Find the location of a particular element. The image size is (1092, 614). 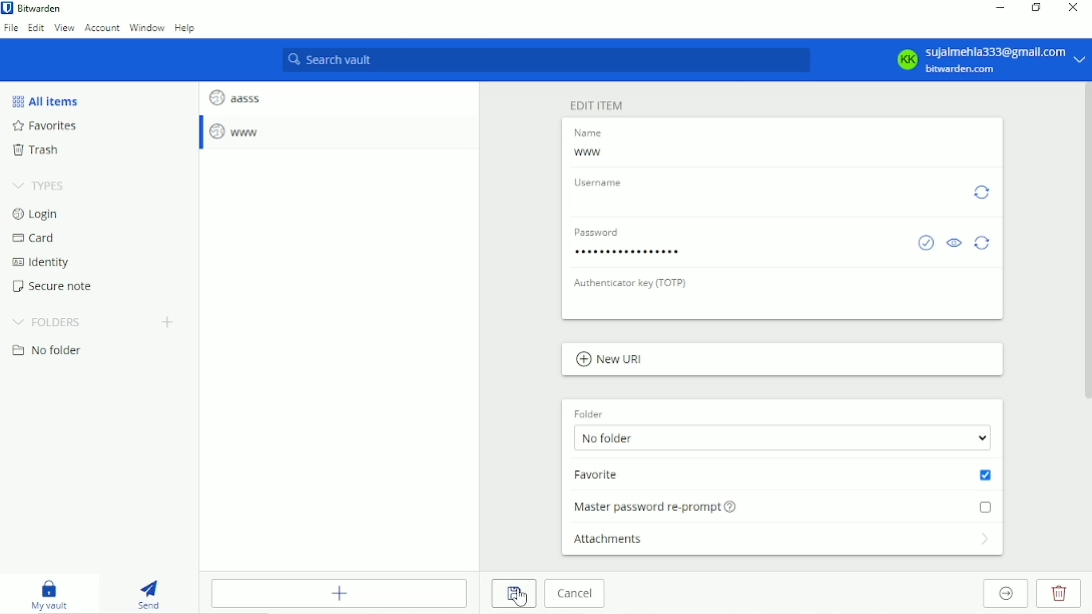

Edit item is located at coordinates (597, 104).